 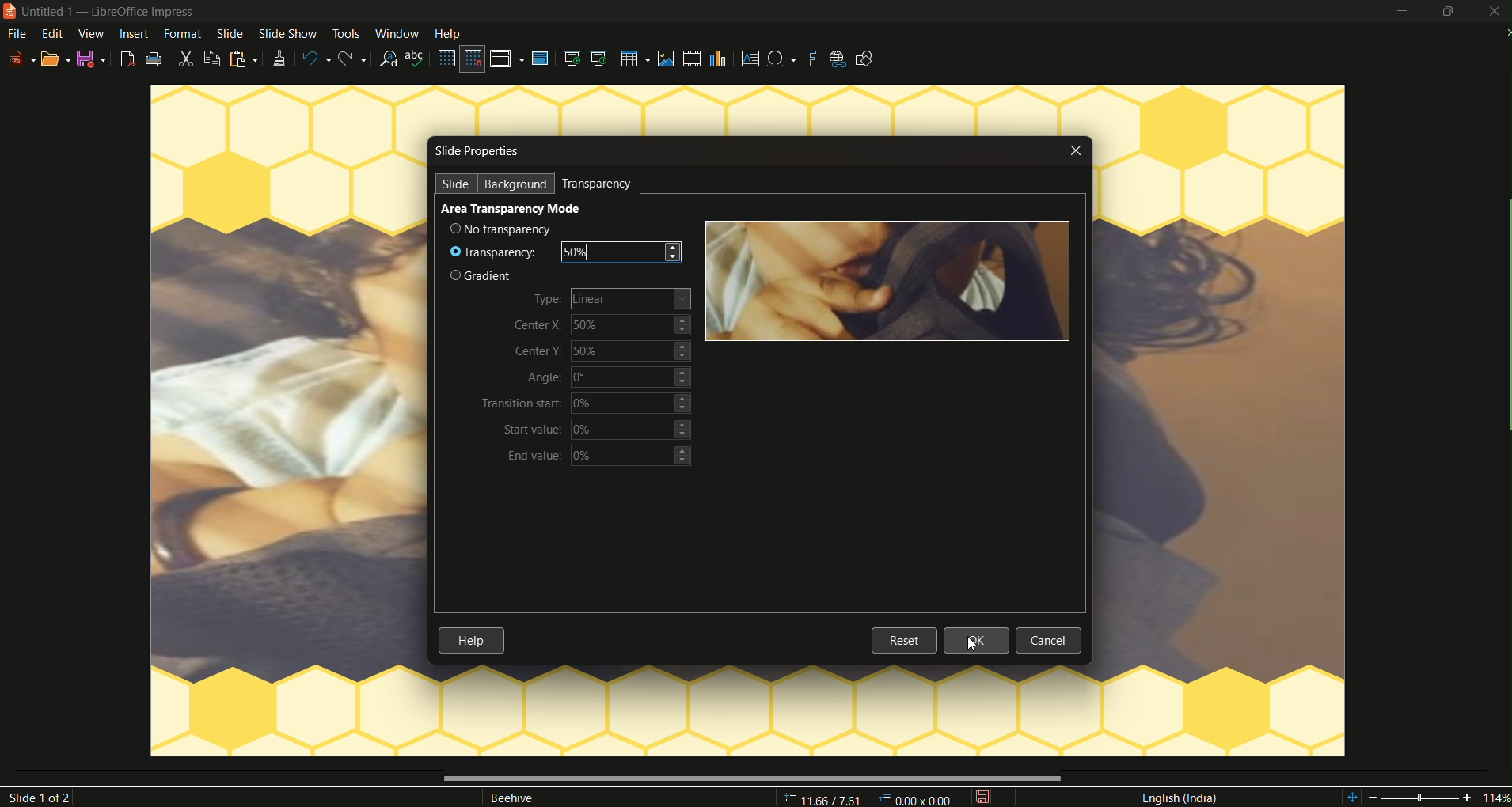 What do you see at coordinates (480, 152) in the screenshot?
I see `slide properties` at bounding box center [480, 152].